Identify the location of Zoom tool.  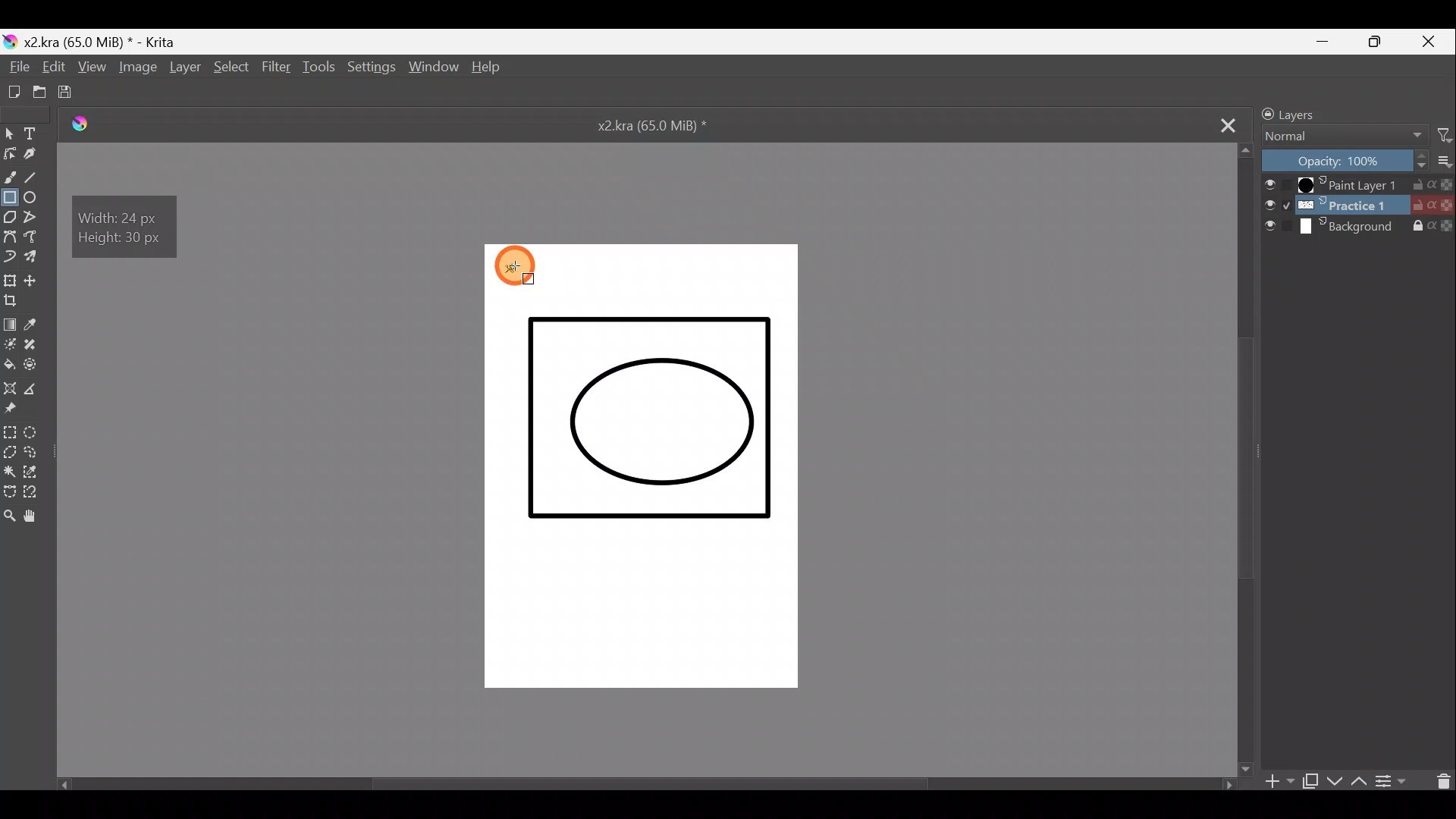
(9, 513).